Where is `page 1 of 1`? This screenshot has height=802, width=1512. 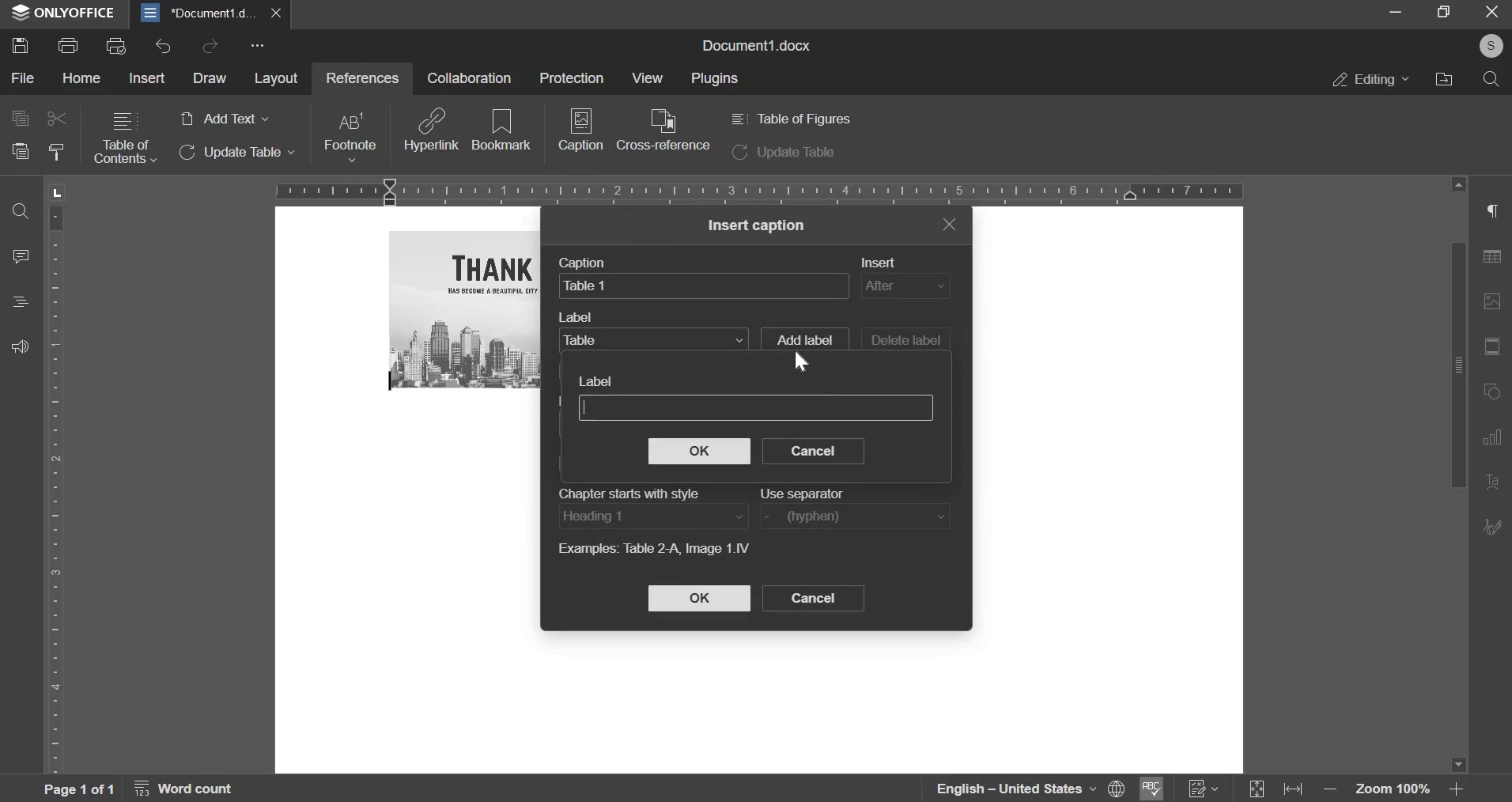 page 1 of 1 is located at coordinates (76, 789).